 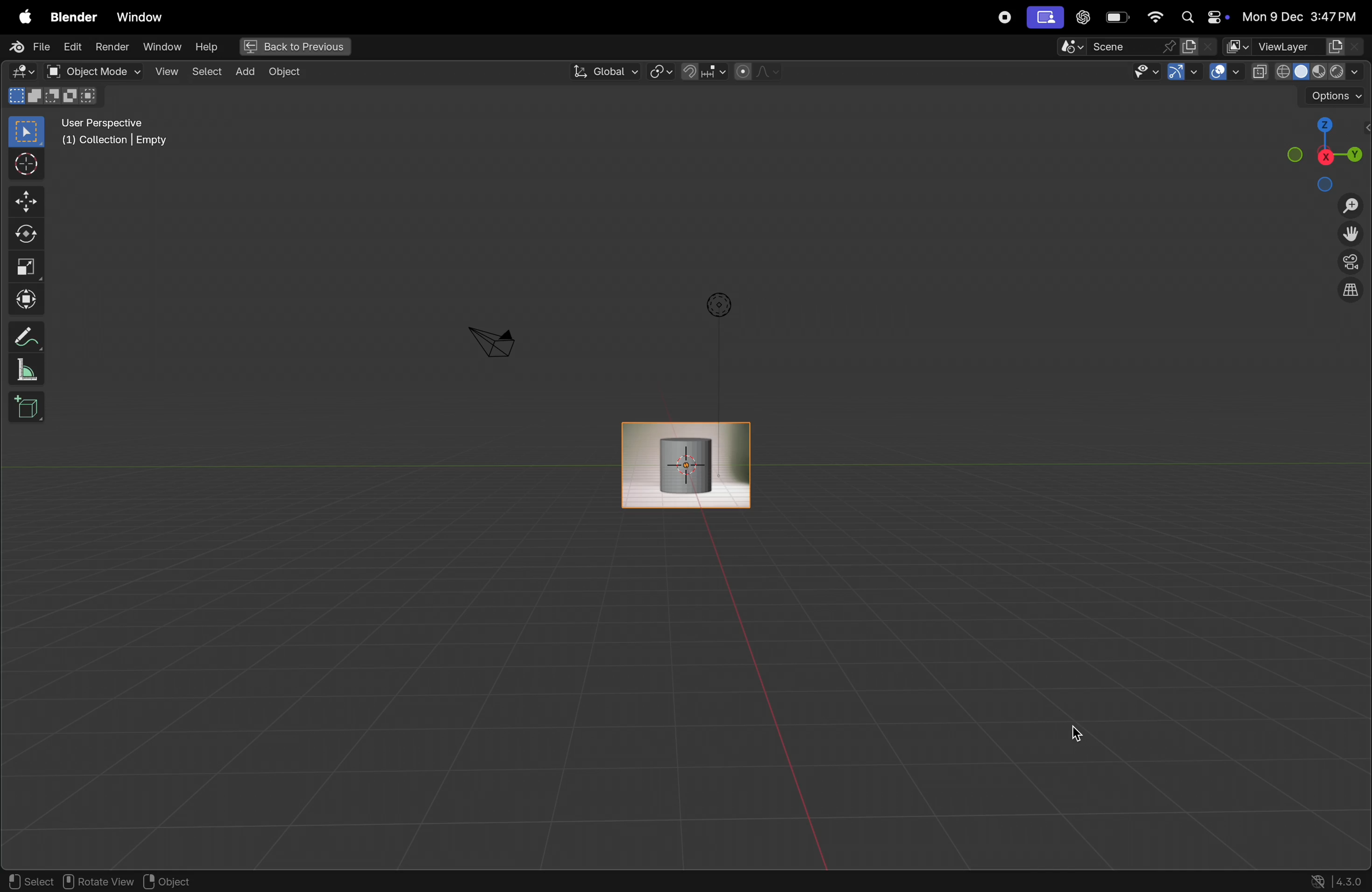 What do you see at coordinates (29, 881) in the screenshot?
I see `select` at bounding box center [29, 881].